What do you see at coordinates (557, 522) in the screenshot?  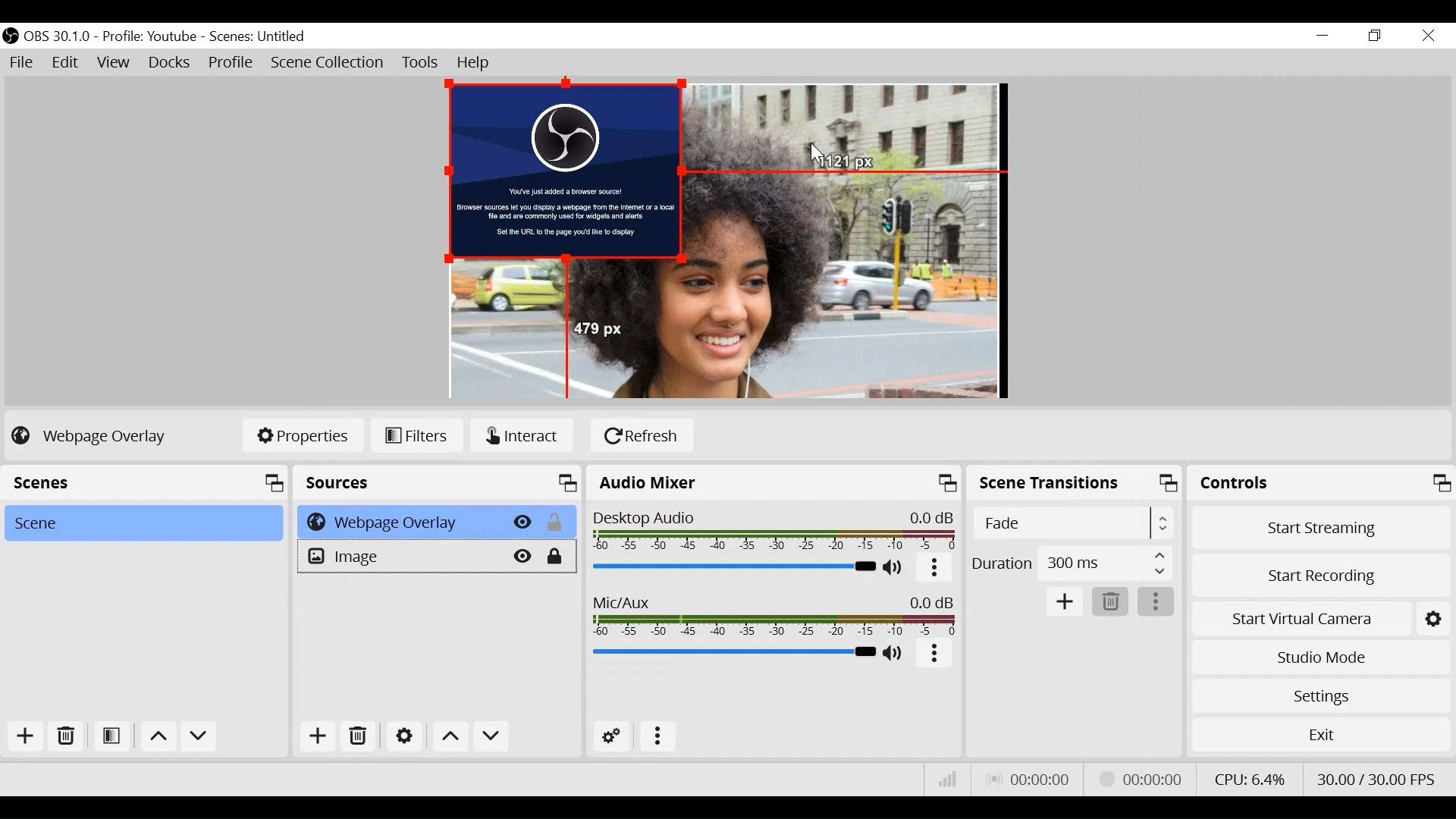 I see `(un)lock` at bounding box center [557, 522].